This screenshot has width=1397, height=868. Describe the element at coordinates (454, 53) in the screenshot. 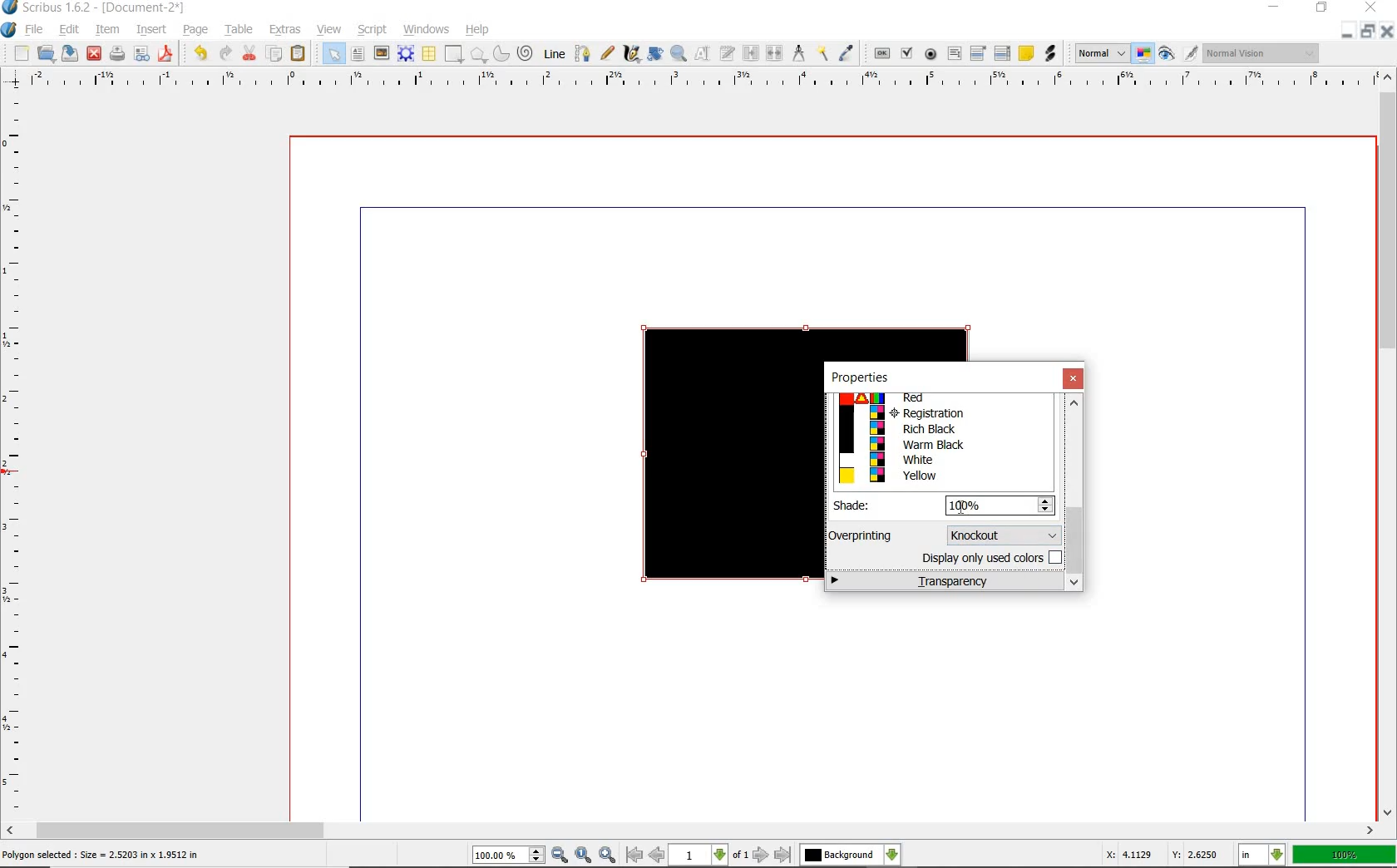

I see `shape` at that location.